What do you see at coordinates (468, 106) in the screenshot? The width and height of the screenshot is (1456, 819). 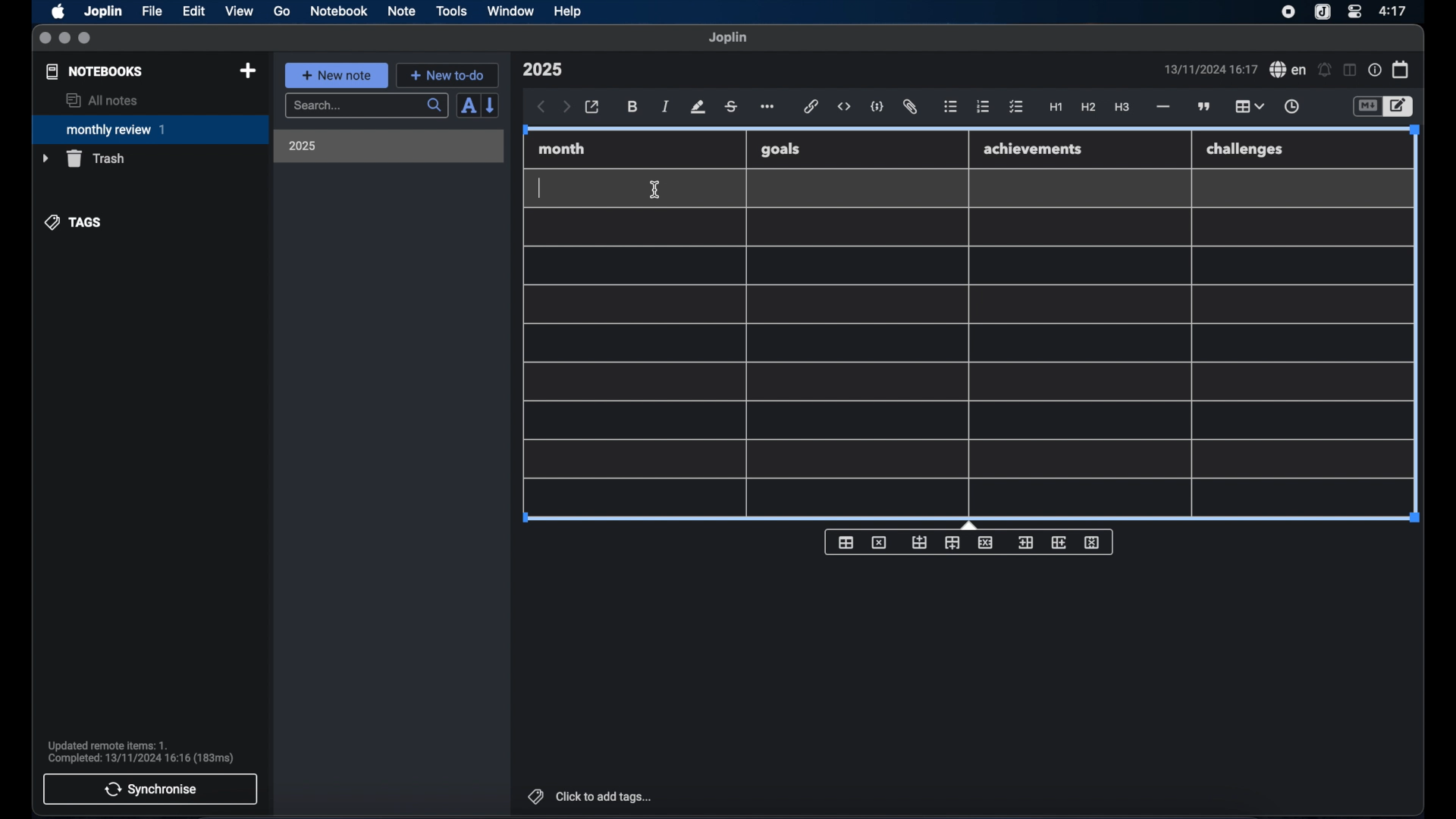 I see `sort order field` at bounding box center [468, 106].